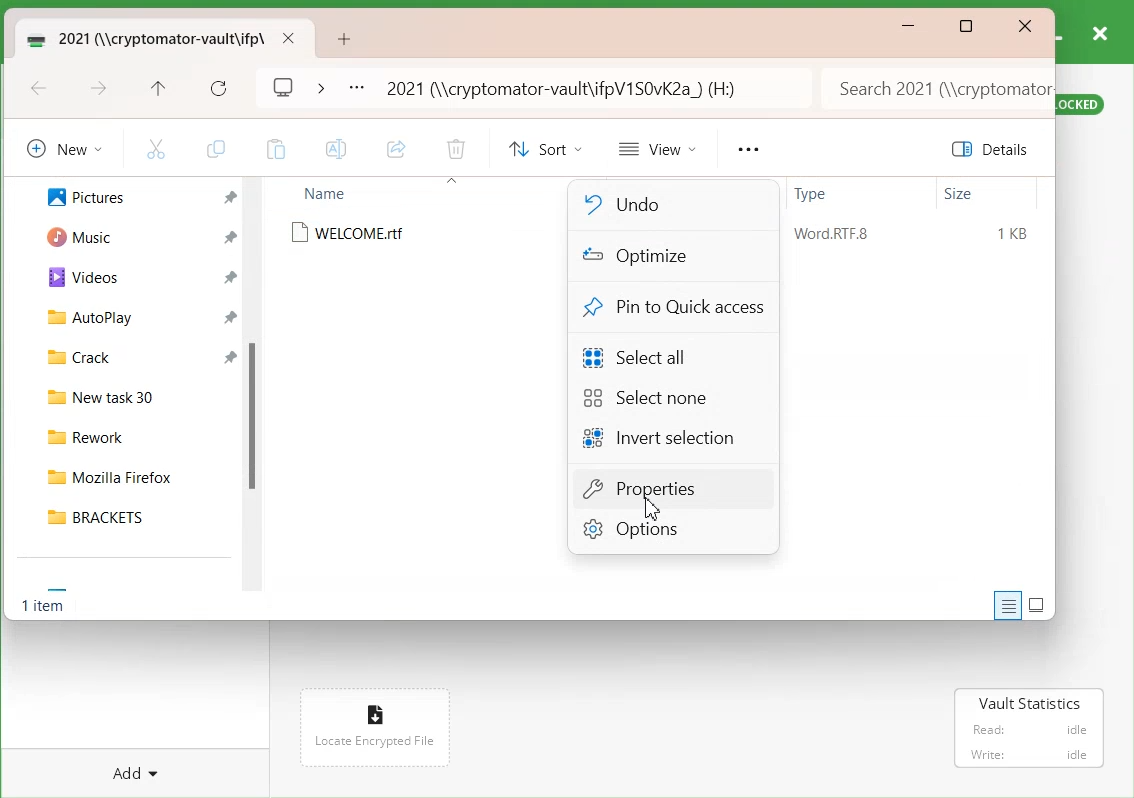  Describe the element at coordinates (1008, 605) in the screenshot. I see `Display information about each item to the window` at that location.